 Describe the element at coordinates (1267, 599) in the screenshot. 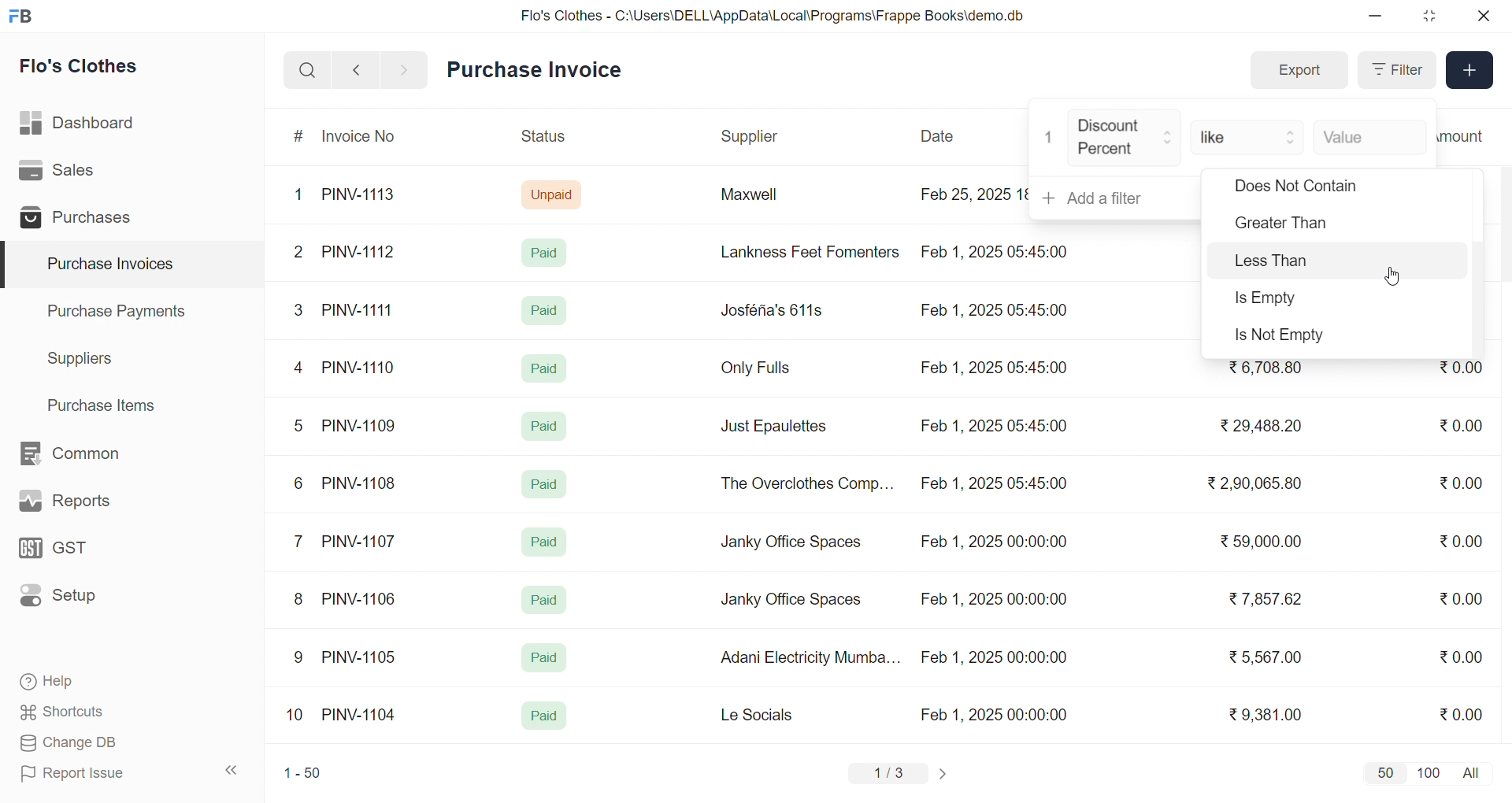

I see `₹ 7,857.62` at that location.